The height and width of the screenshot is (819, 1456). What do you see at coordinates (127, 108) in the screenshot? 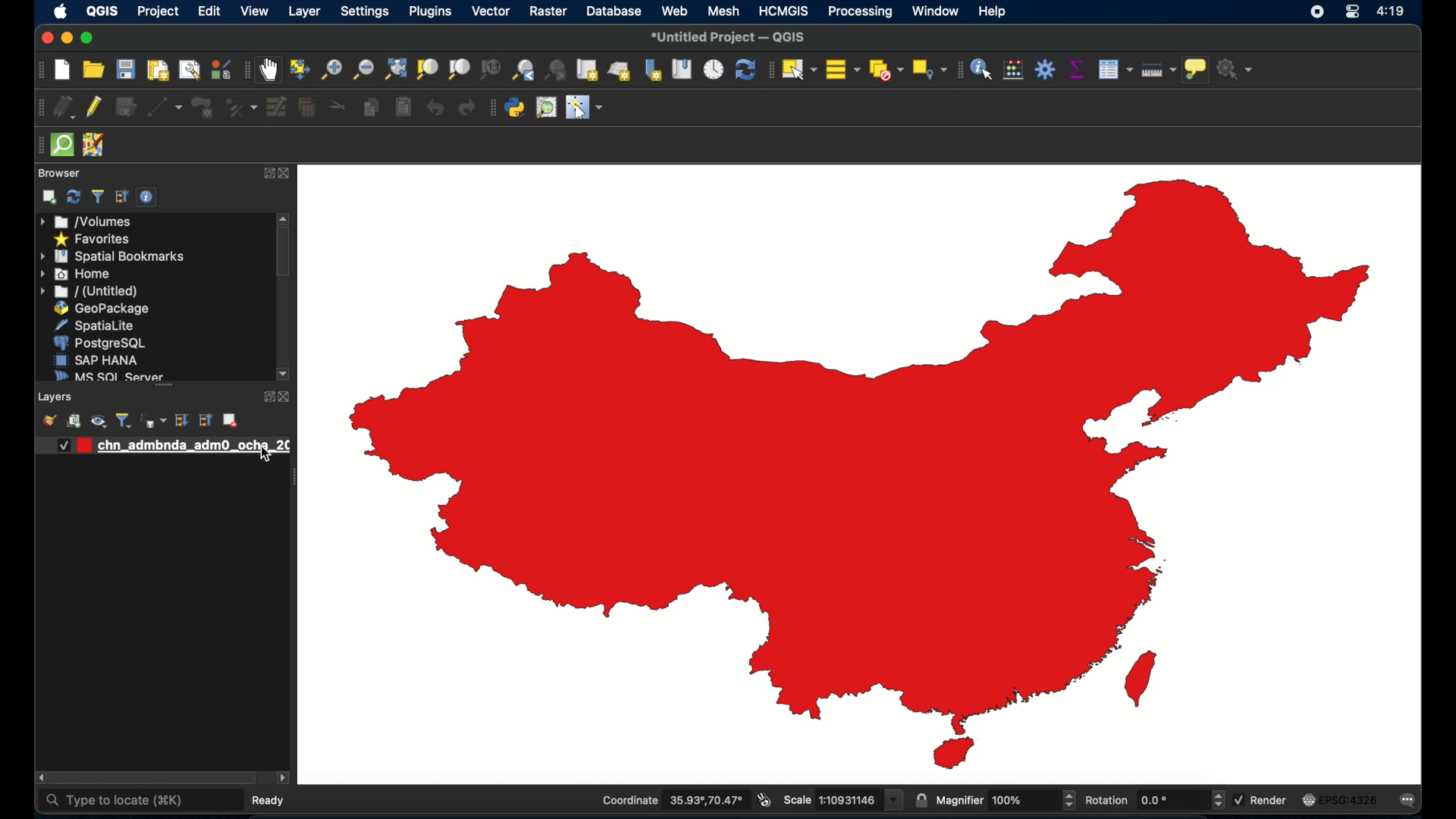
I see `save edits` at bounding box center [127, 108].